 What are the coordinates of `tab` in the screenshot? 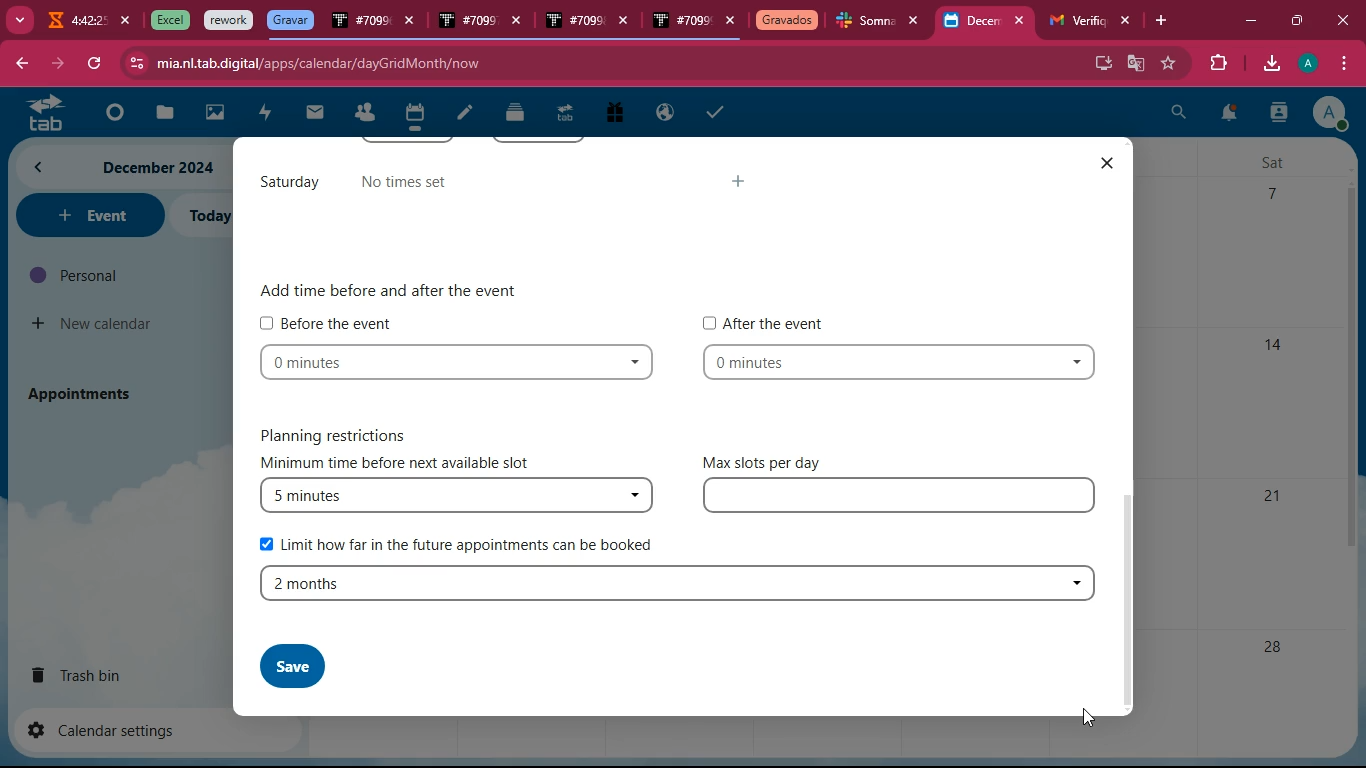 It's located at (466, 22).